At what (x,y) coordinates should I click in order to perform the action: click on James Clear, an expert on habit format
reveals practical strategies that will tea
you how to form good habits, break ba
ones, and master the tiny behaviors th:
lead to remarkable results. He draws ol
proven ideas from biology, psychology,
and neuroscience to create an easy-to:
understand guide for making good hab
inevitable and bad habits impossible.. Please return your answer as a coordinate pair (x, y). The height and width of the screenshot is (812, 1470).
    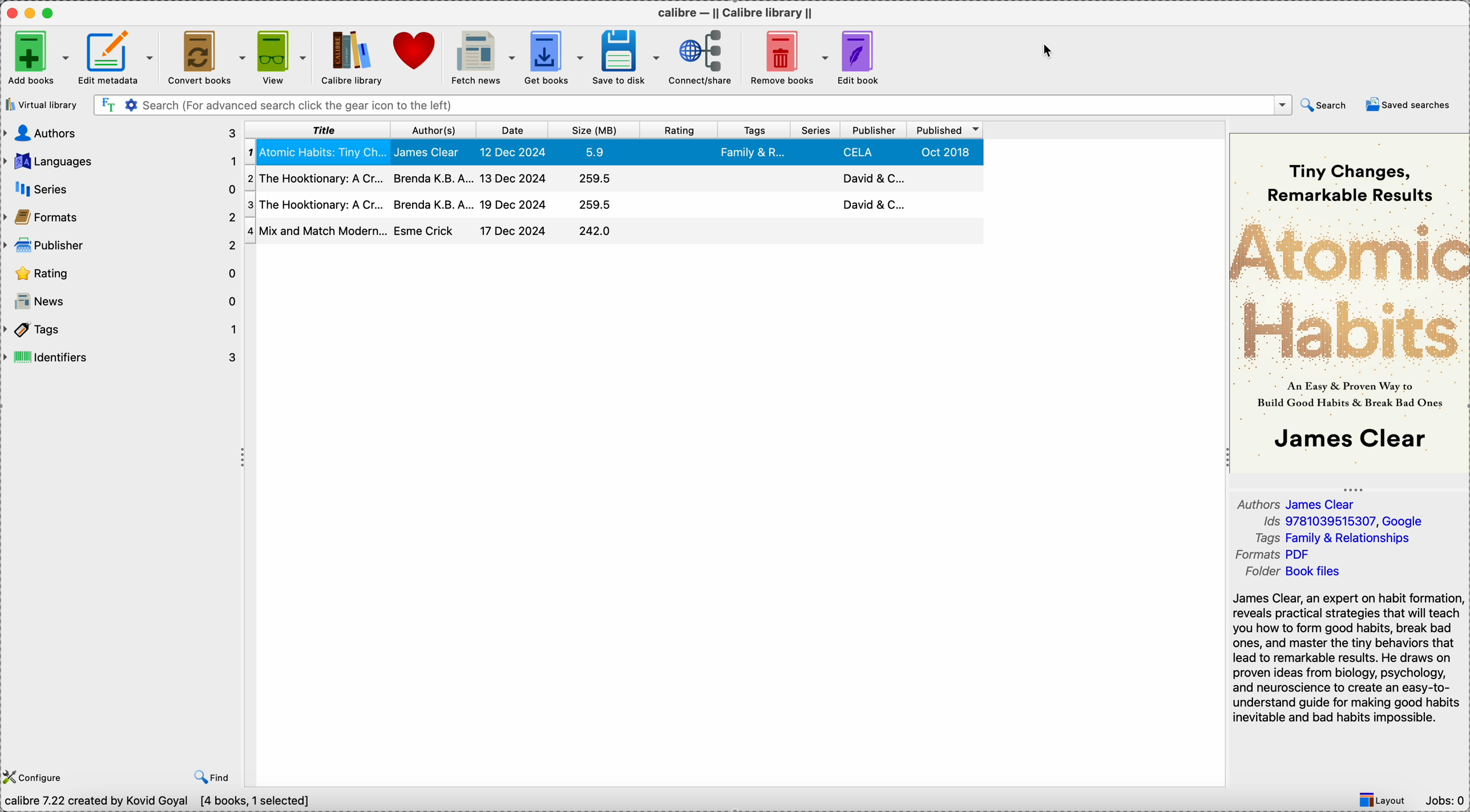
    Looking at the image, I should click on (1343, 656).